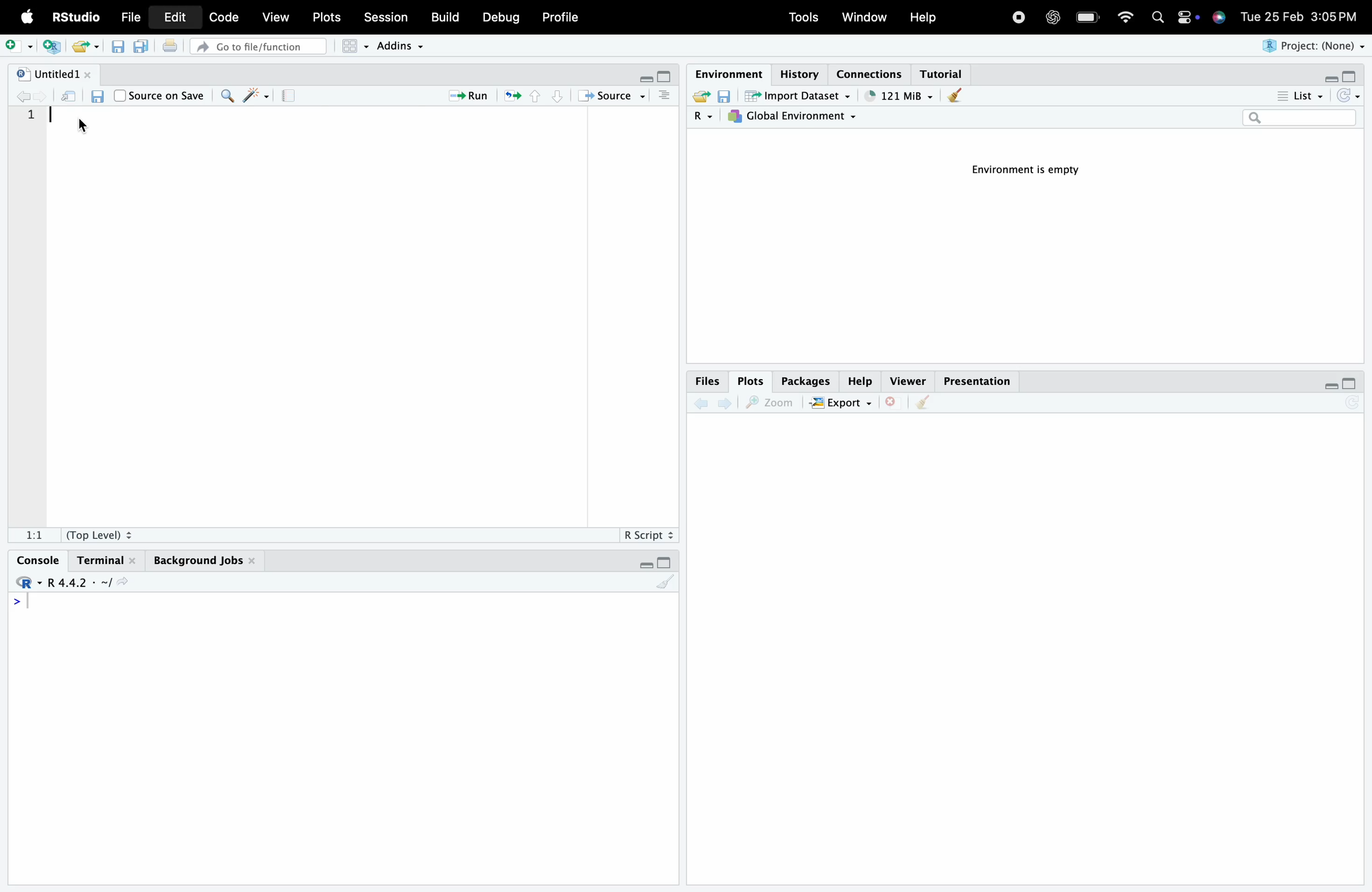  Describe the element at coordinates (226, 96) in the screenshot. I see `Find/Replace` at that location.